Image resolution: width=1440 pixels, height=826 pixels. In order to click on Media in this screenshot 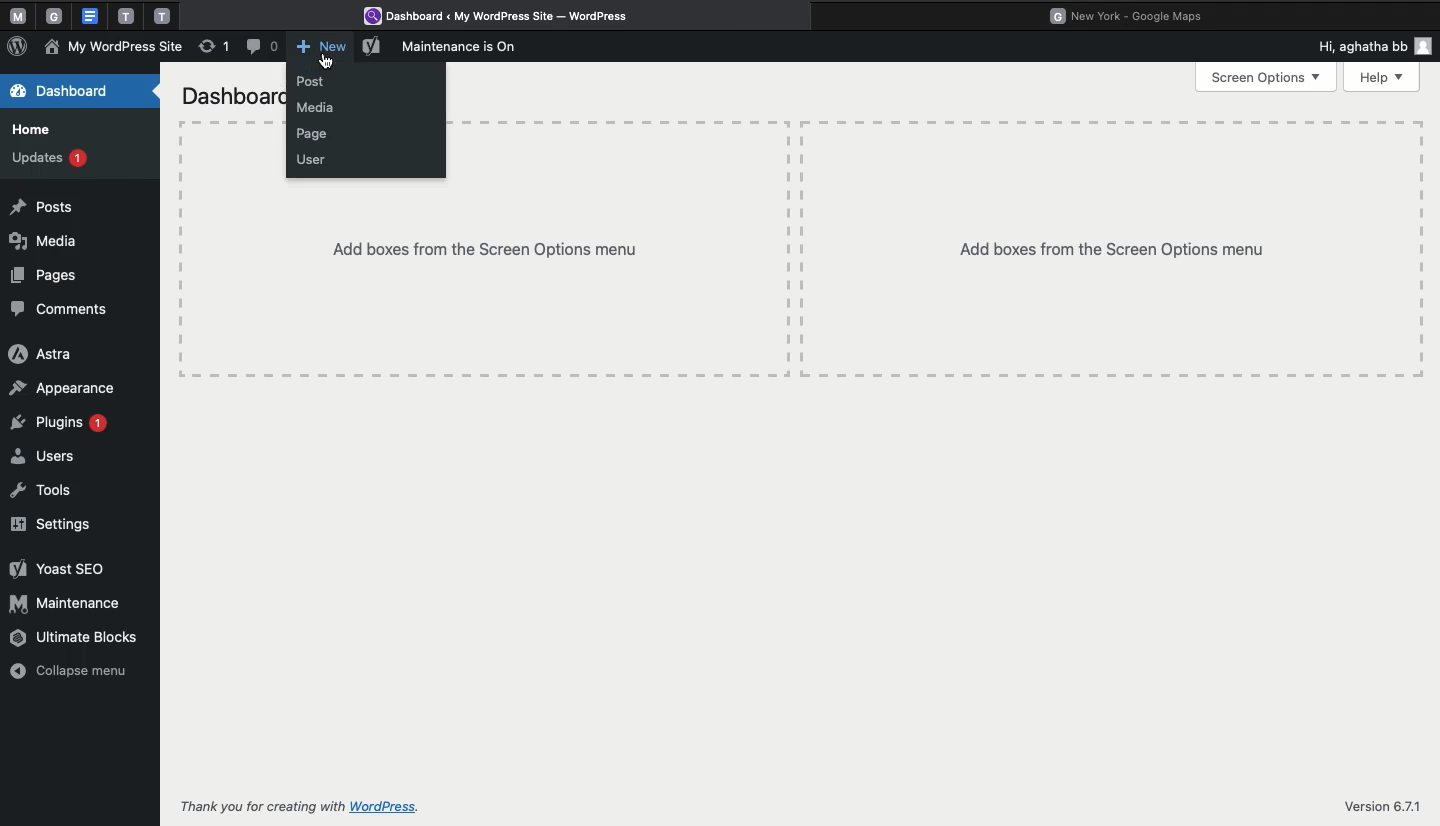, I will do `click(318, 108)`.